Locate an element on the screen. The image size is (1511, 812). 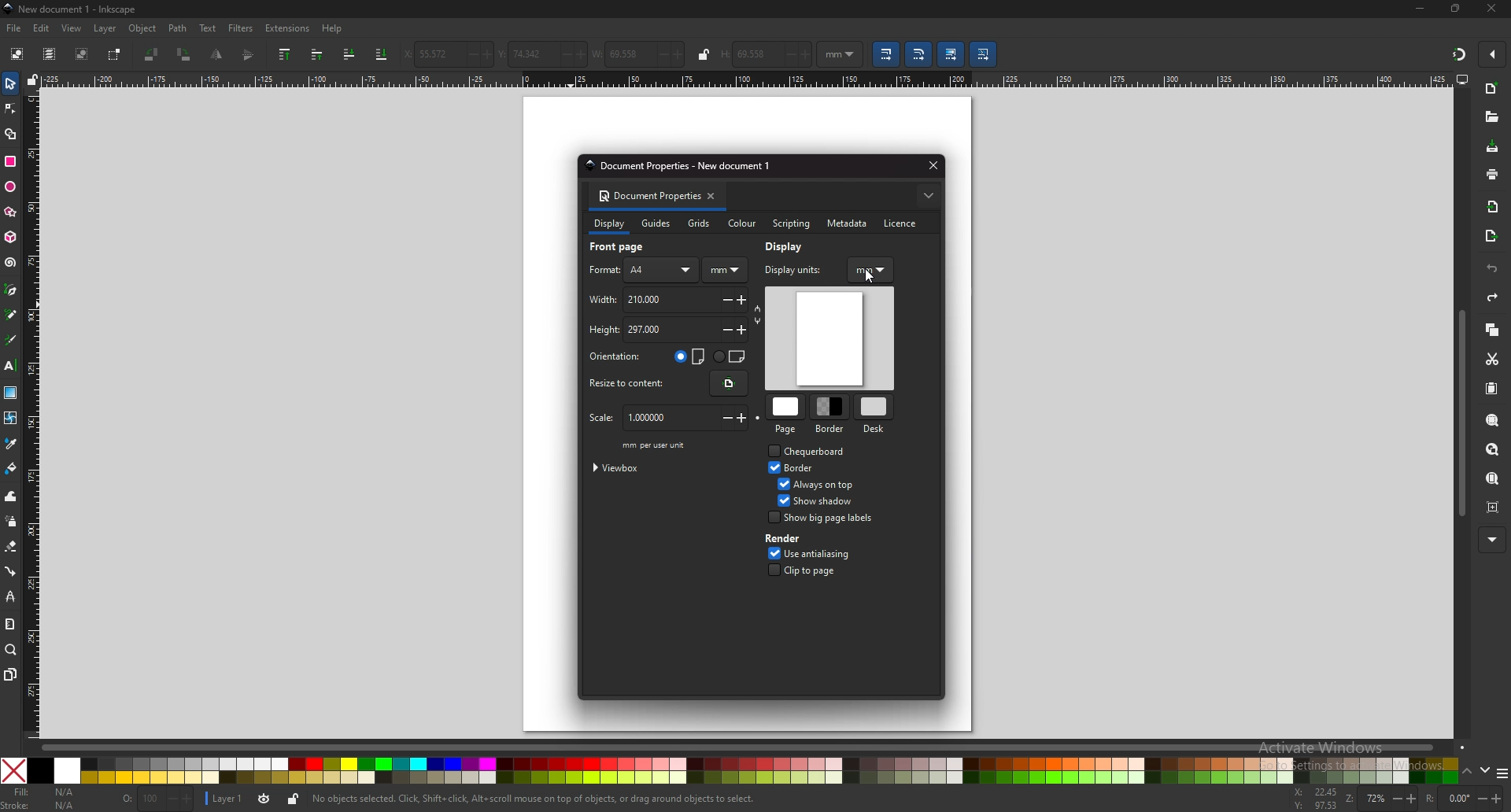
clip to page is located at coordinates (818, 570).